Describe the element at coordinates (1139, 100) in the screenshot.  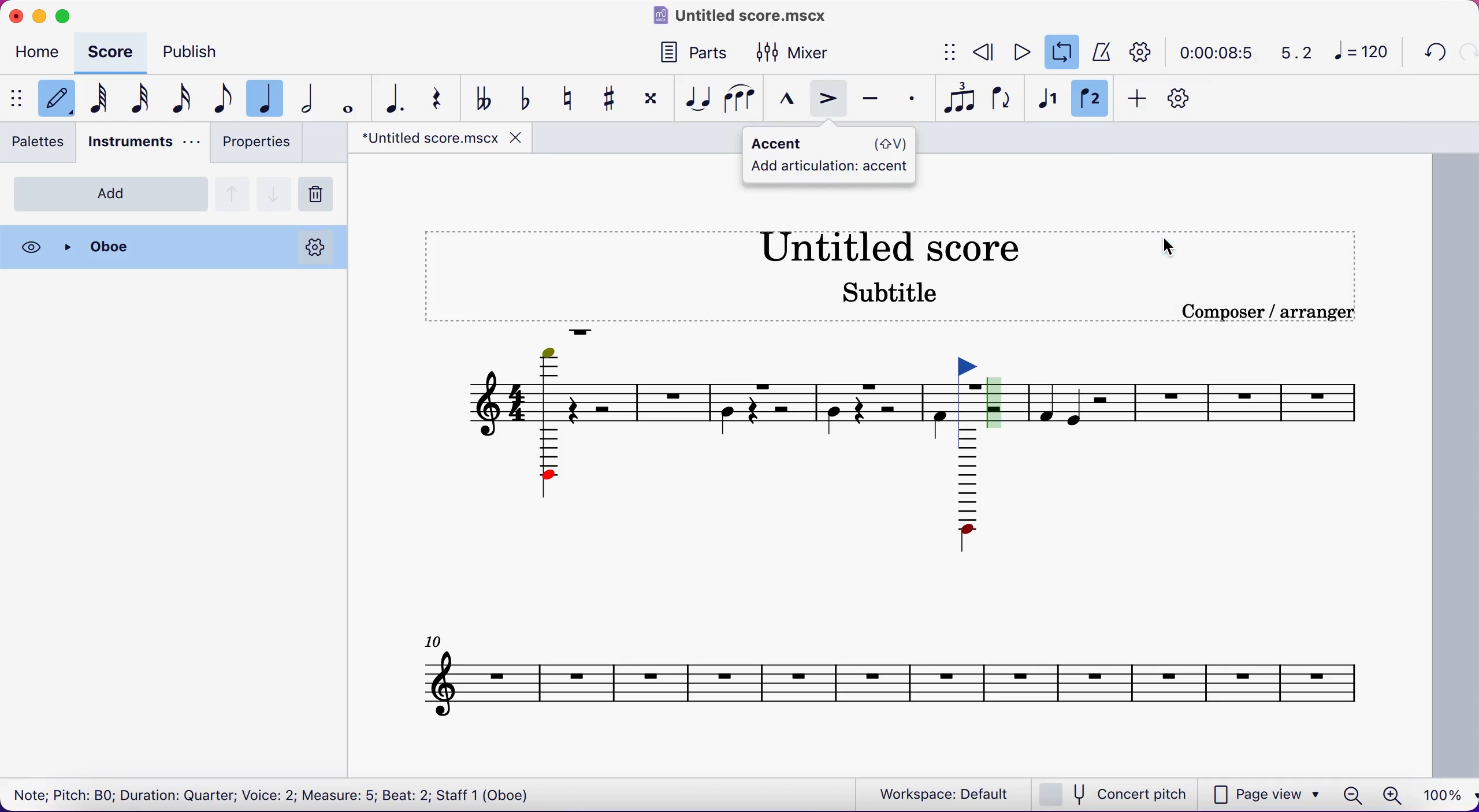
I see `add` at that location.